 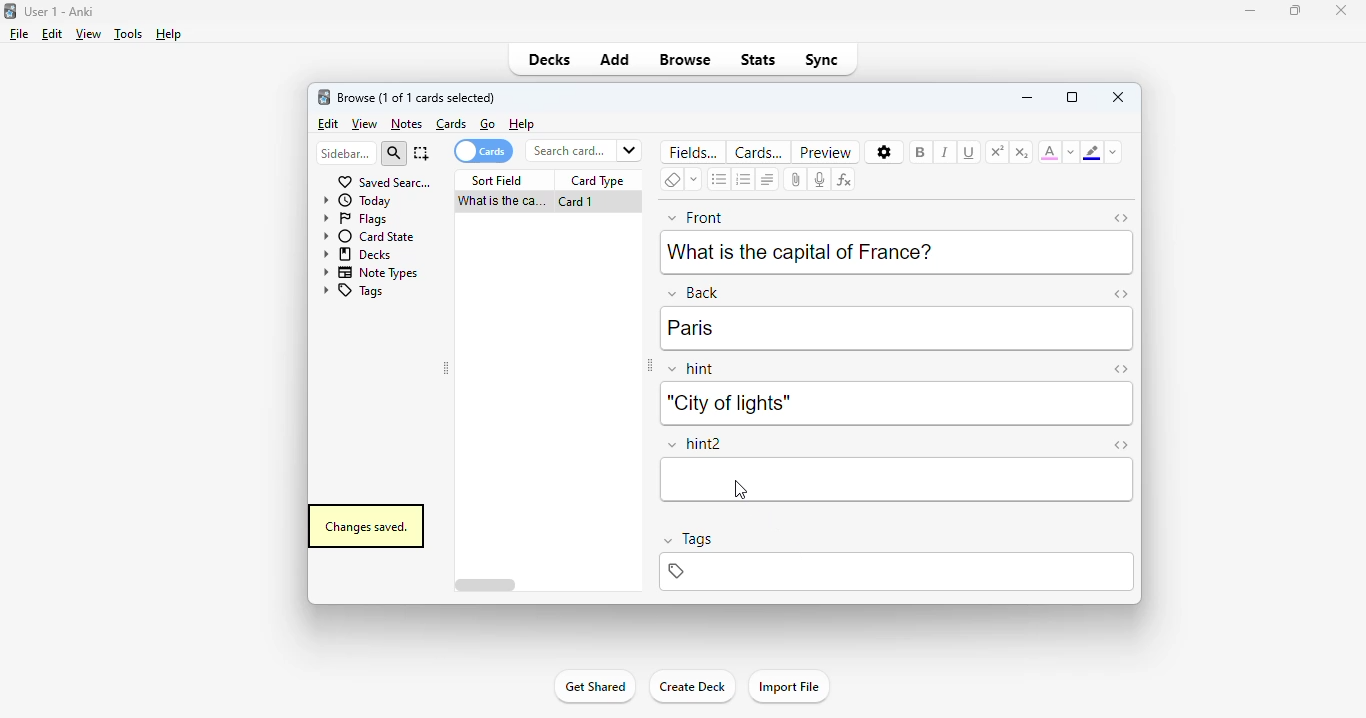 What do you see at coordinates (944, 152) in the screenshot?
I see `italic` at bounding box center [944, 152].